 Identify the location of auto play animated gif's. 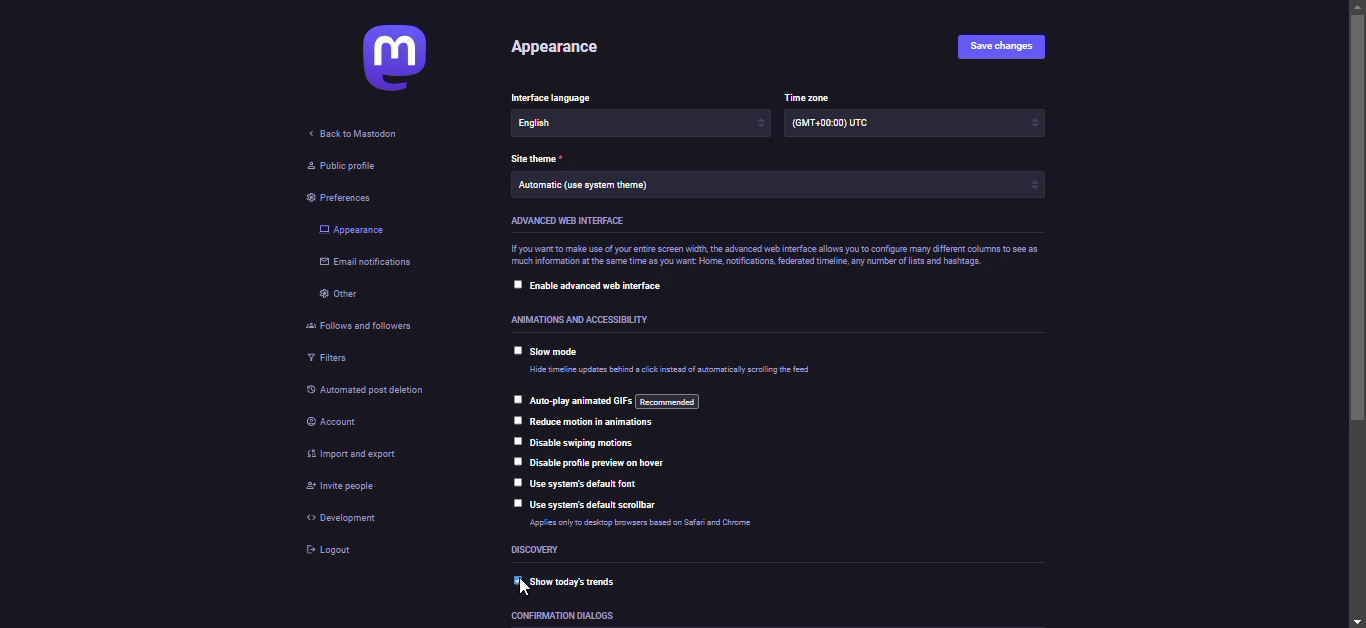
(617, 401).